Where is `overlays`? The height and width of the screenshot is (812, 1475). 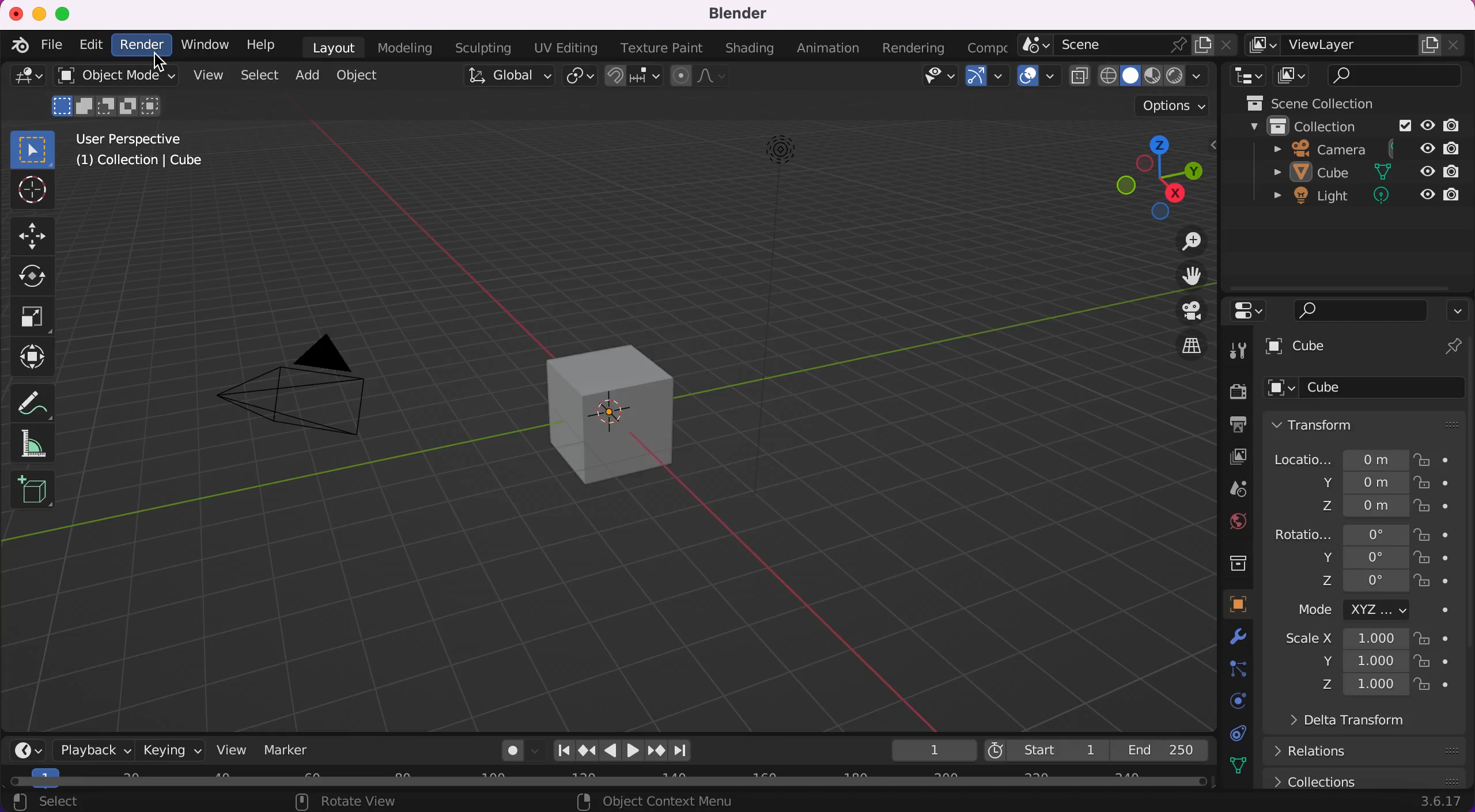 overlays is located at coordinates (1039, 80).